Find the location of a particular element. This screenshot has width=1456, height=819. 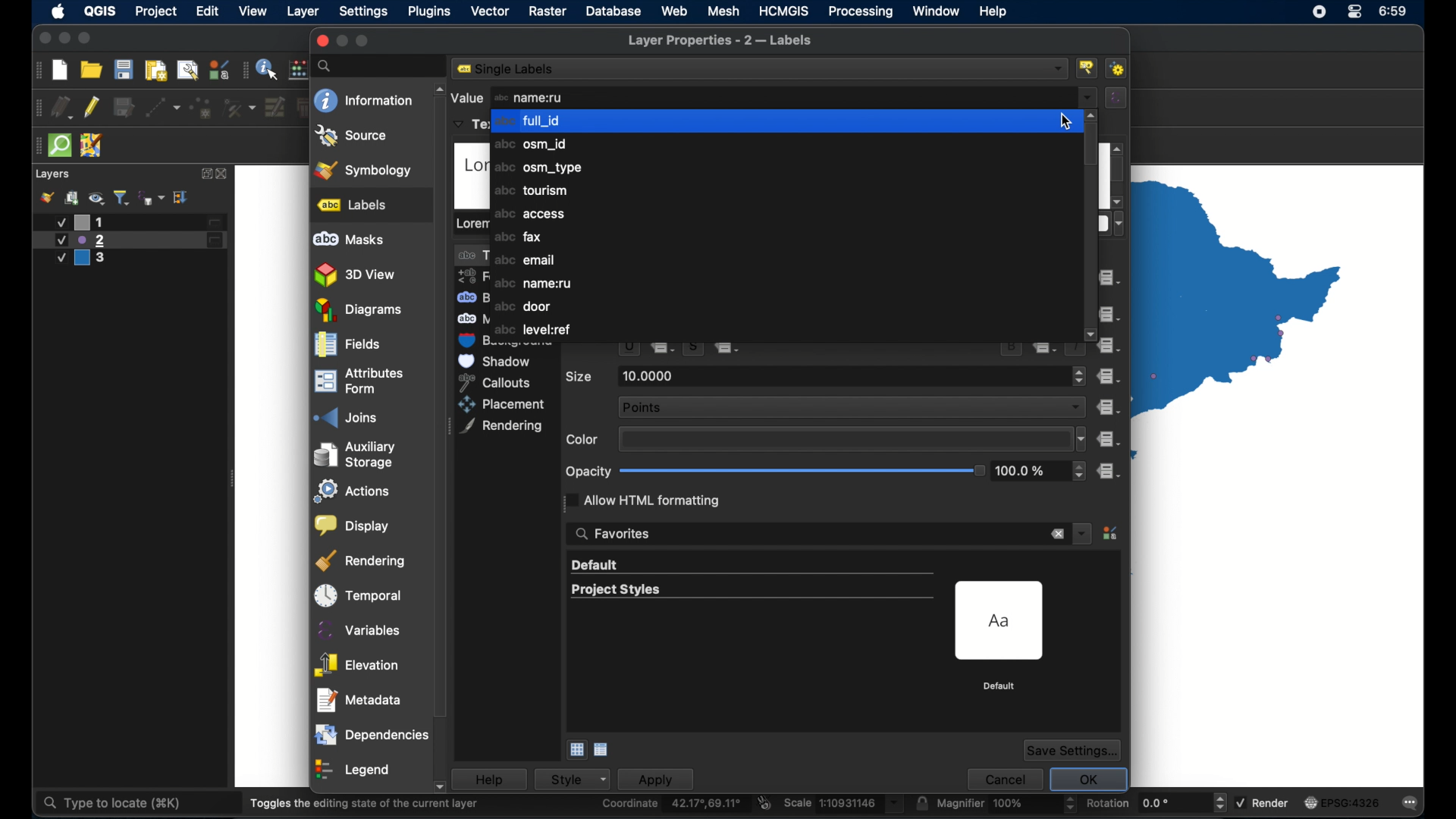

list view is located at coordinates (602, 750).